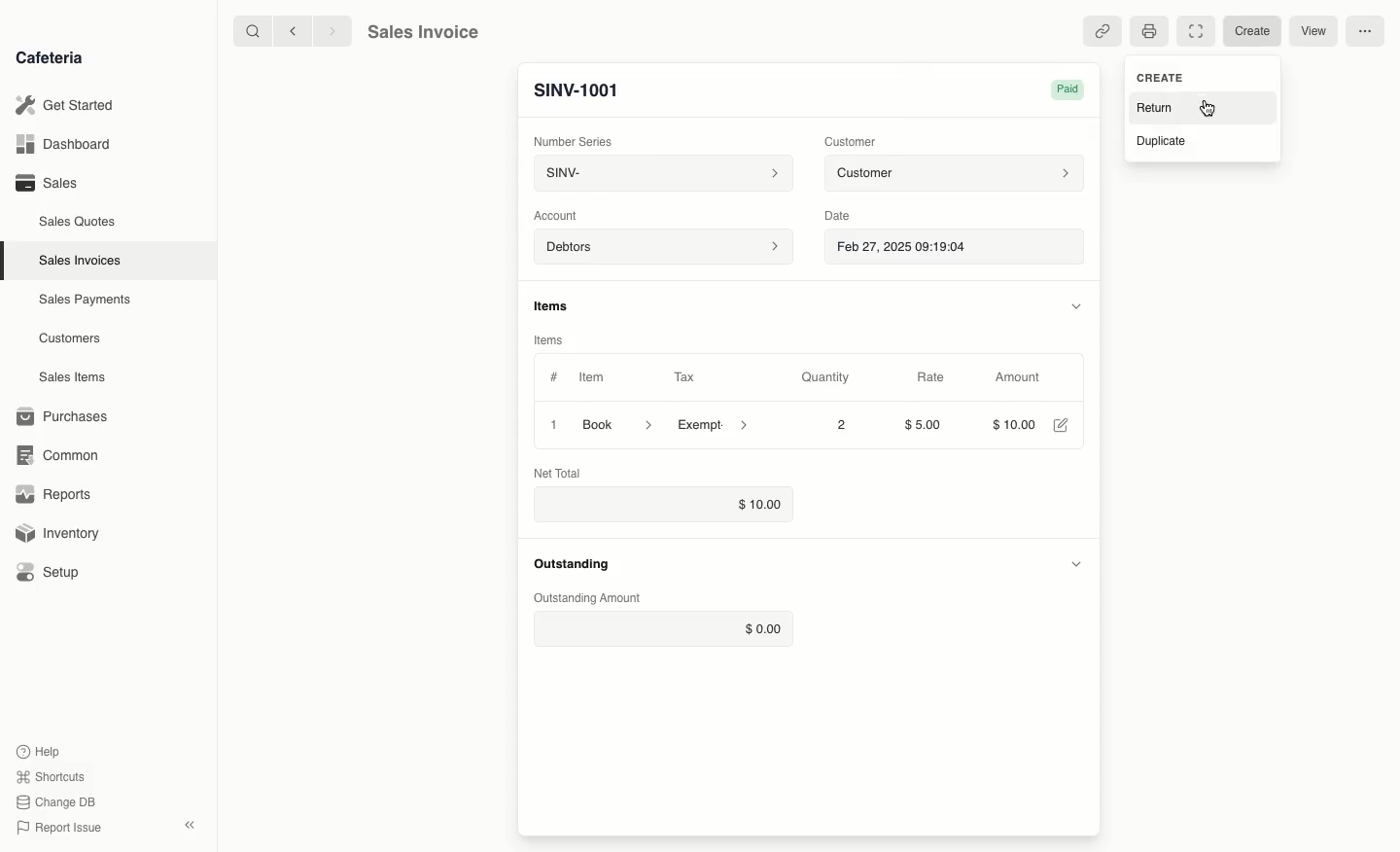 The height and width of the screenshot is (852, 1400). I want to click on cursor, so click(1210, 110).